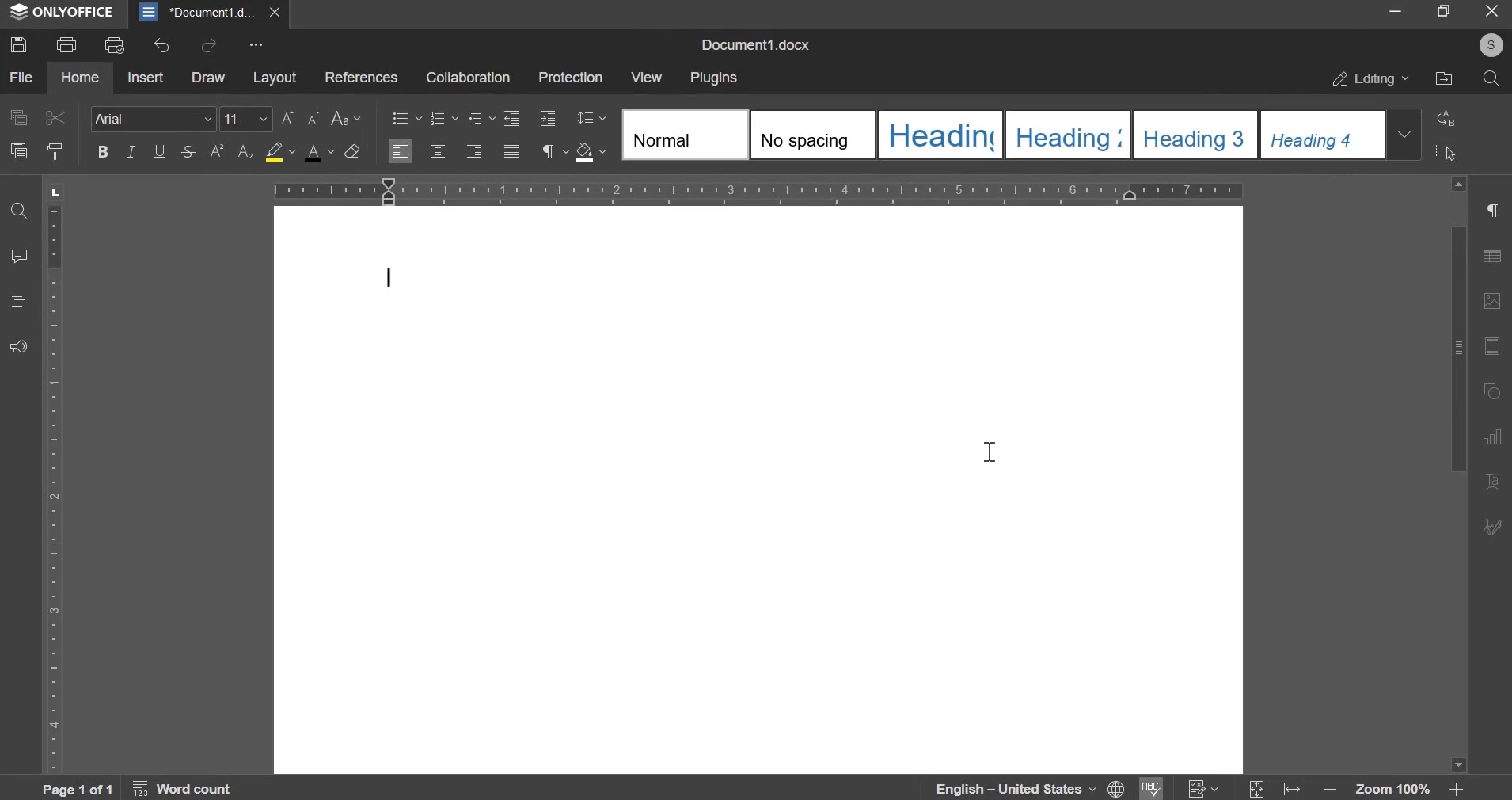 The image size is (1512, 800). What do you see at coordinates (21, 255) in the screenshot?
I see `Messages` at bounding box center [21, 255].